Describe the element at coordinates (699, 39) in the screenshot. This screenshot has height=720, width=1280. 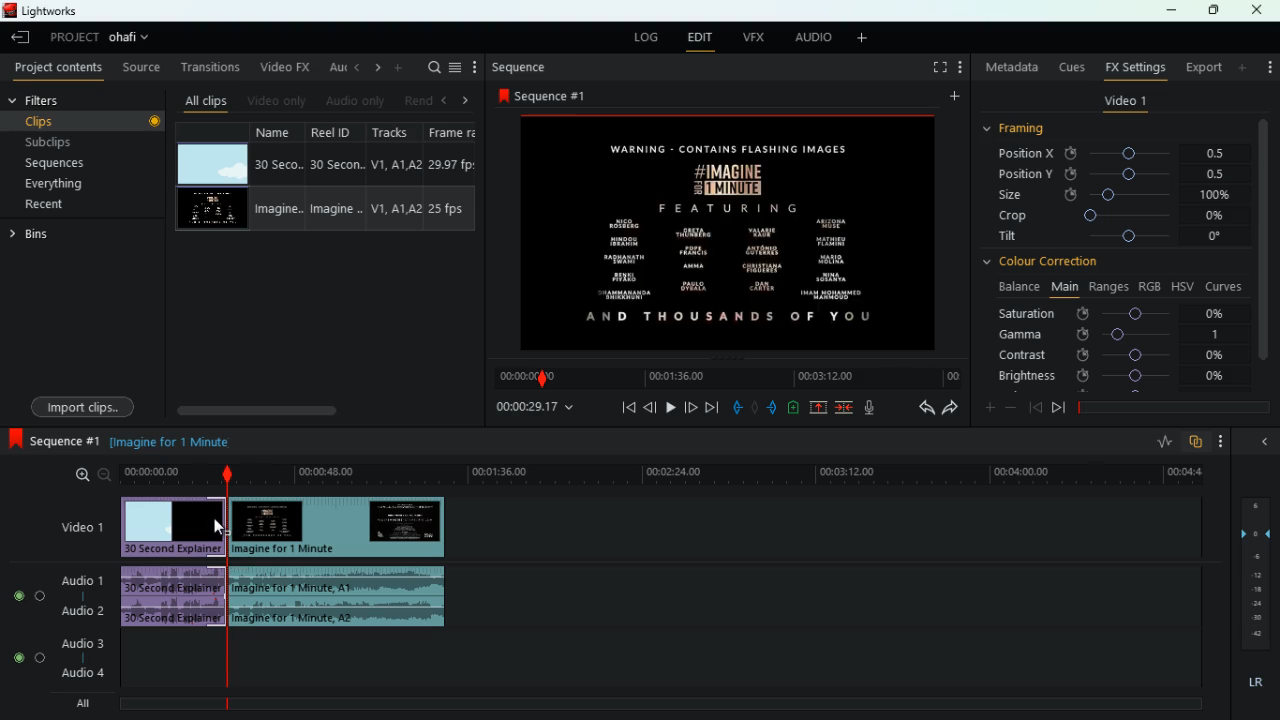
I see `edit` at that location.